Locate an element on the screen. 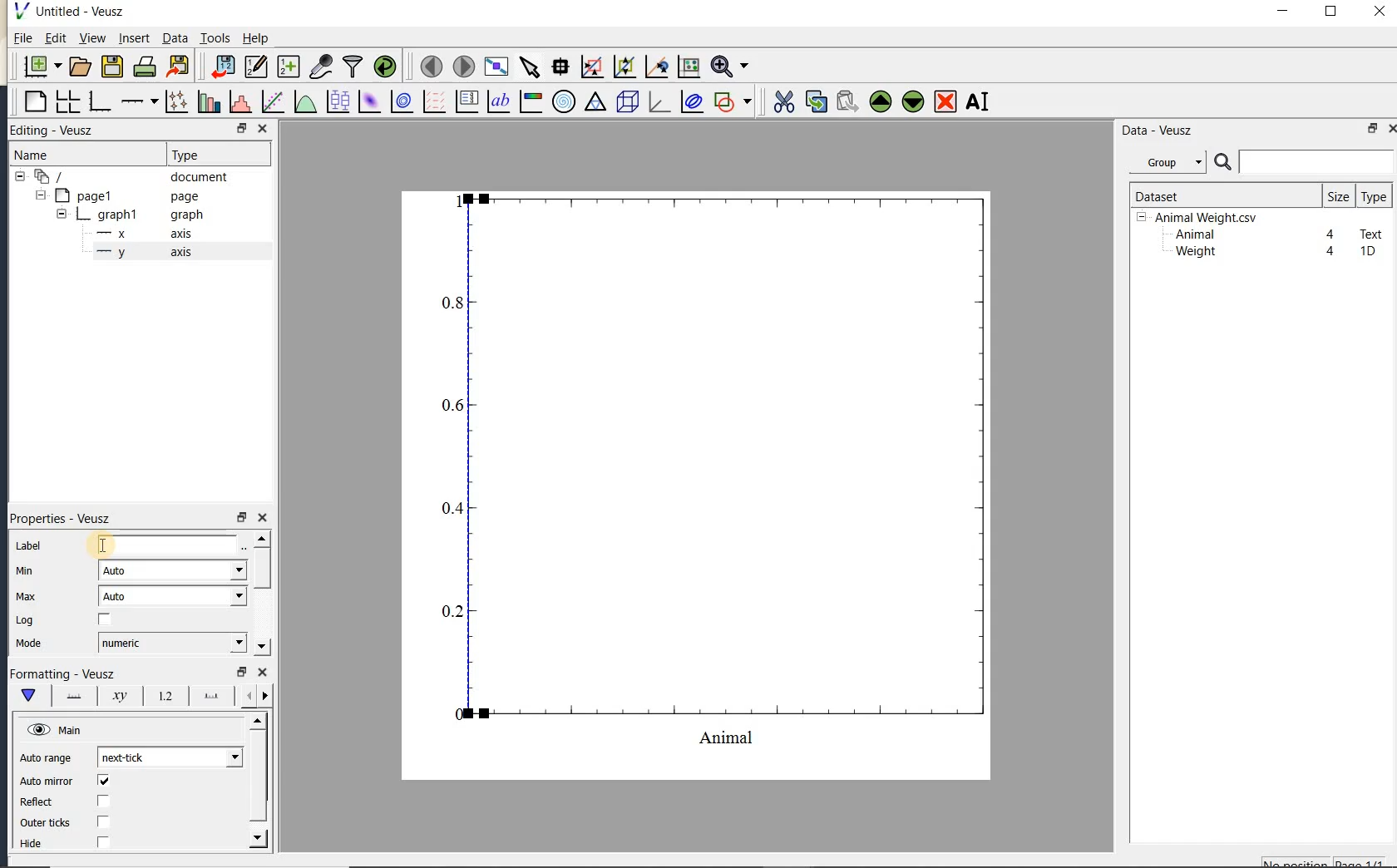 The height and width of the screenshot is (868, 1397). plot a function is located at coordinates (304, 104).